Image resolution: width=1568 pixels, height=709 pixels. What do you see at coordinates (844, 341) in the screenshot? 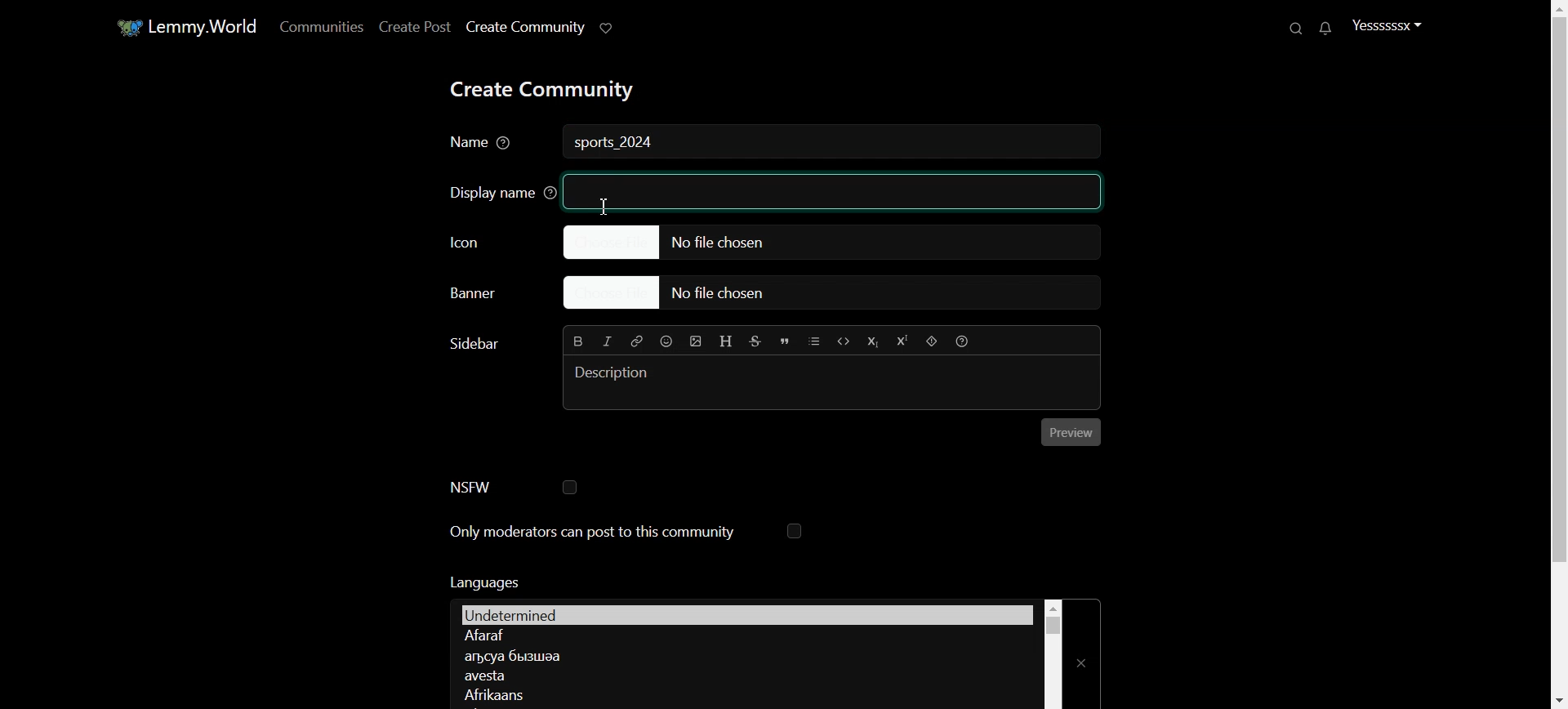
I see `Code` at bounding box center [844, 341].